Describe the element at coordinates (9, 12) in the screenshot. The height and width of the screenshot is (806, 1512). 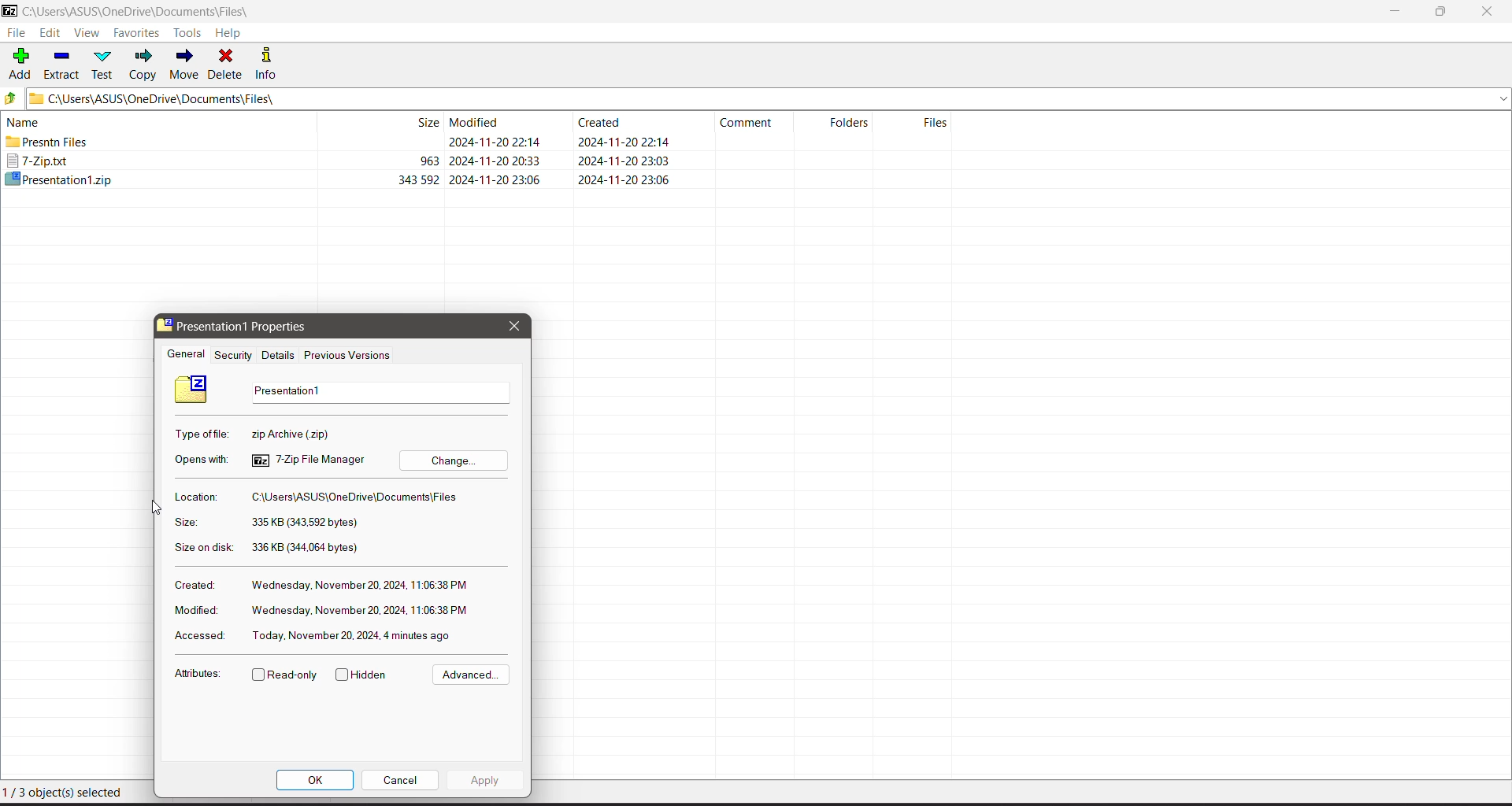
I see `Application Logo` at that location.